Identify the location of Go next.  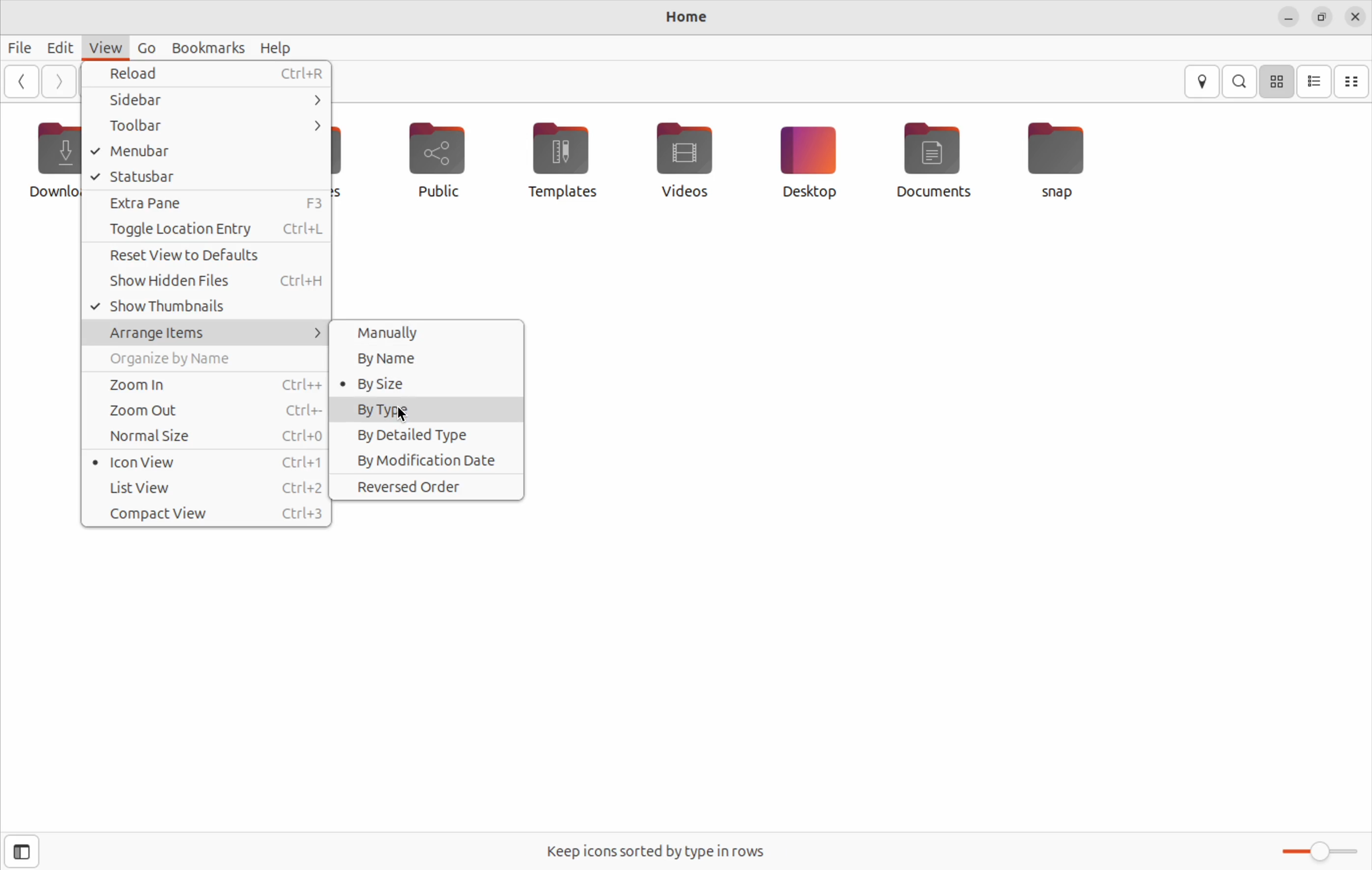
(58, 81).